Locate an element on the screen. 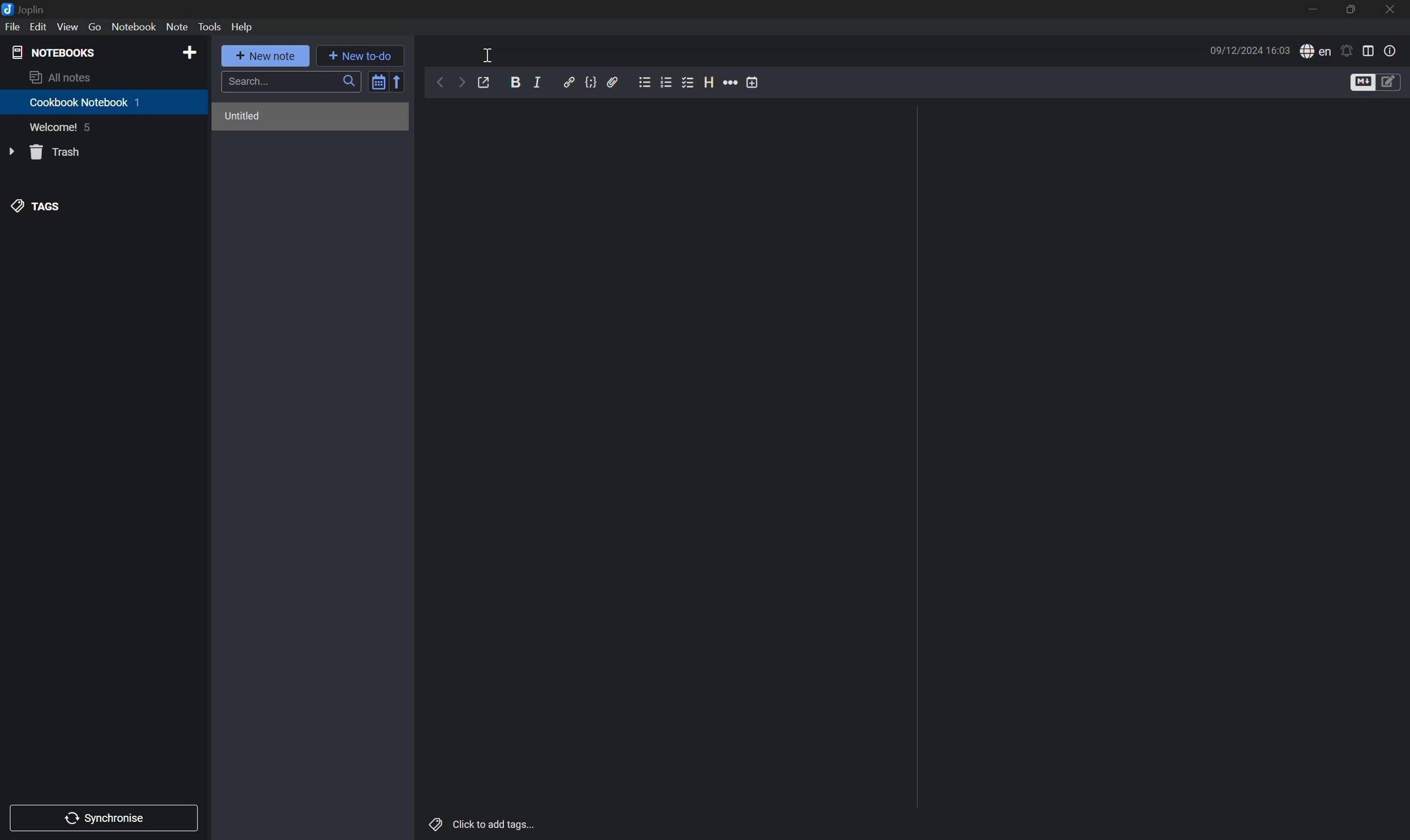 The height and width of the screenshot is (840, 1410). Go is located at coordinates (96, 27).